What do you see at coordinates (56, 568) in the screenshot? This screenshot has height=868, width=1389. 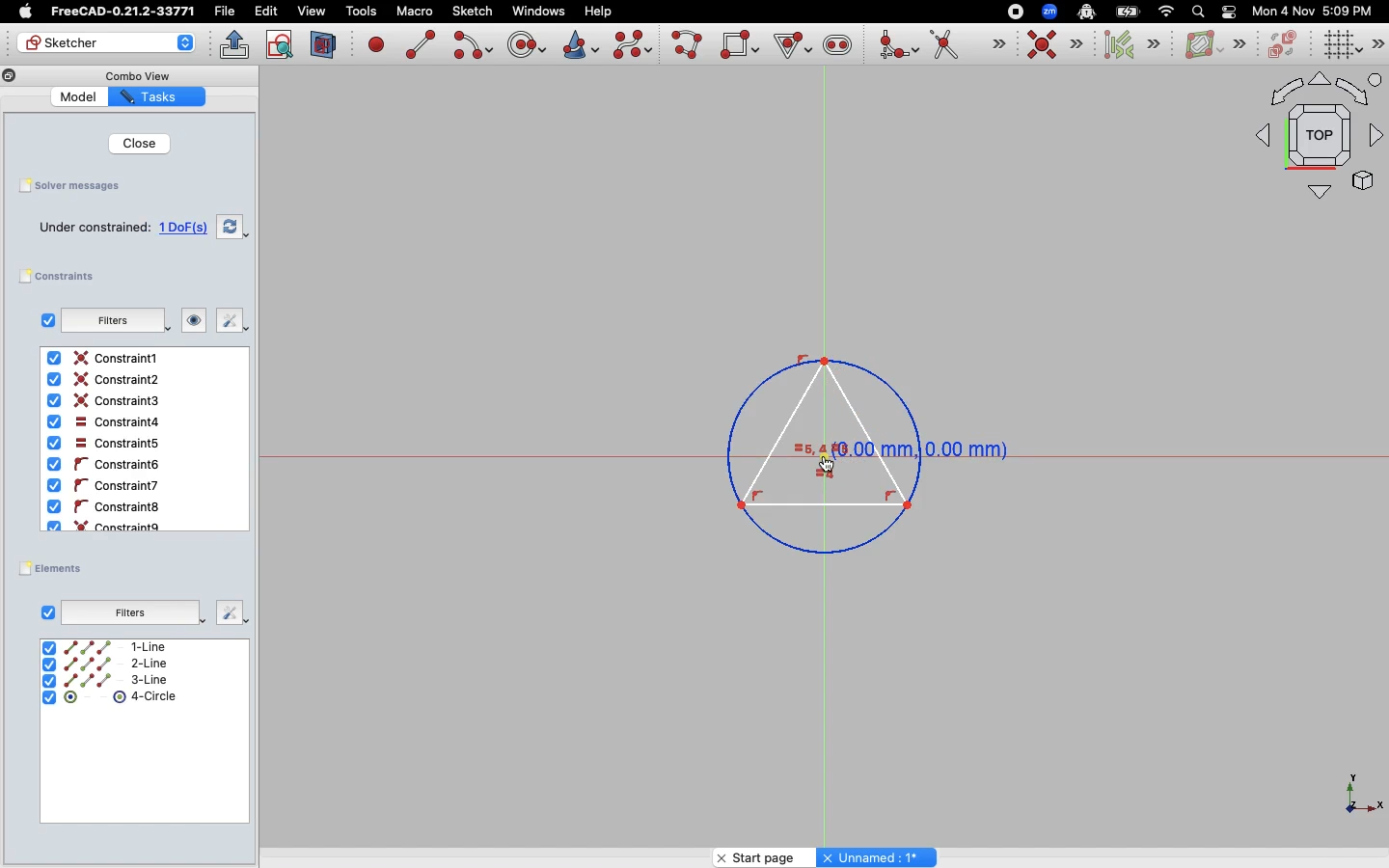 I see `Elements` at bounding box center [56, 568].